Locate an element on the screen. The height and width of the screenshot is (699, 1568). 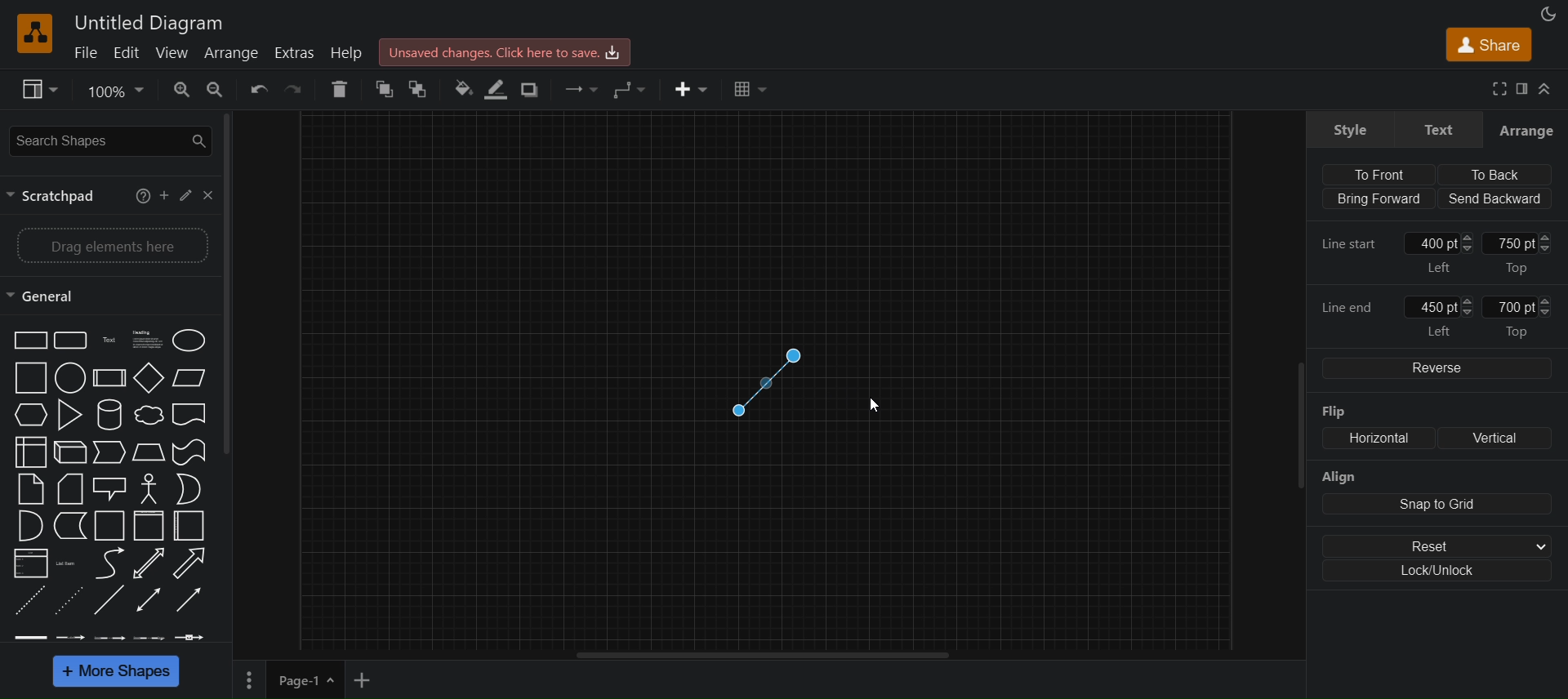
Logo is located at coordinates (38, 32).